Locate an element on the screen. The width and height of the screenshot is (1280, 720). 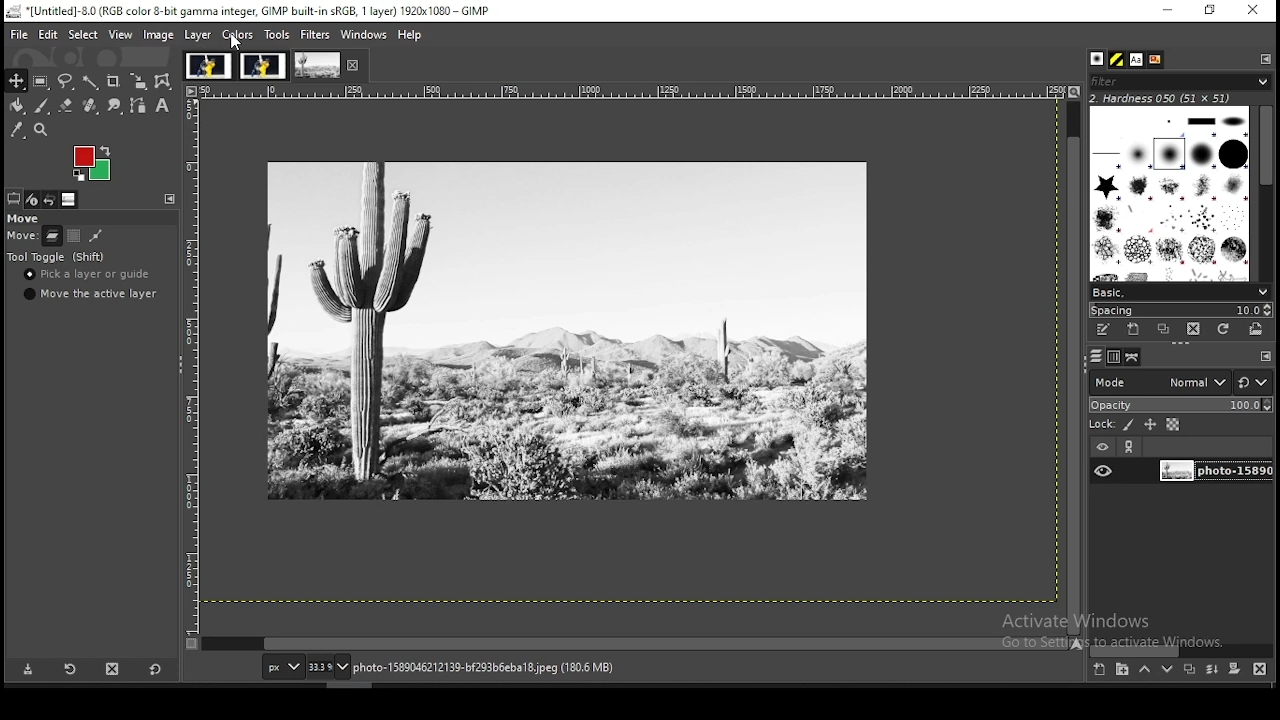
cage transform is located at coordinates (165, 82).